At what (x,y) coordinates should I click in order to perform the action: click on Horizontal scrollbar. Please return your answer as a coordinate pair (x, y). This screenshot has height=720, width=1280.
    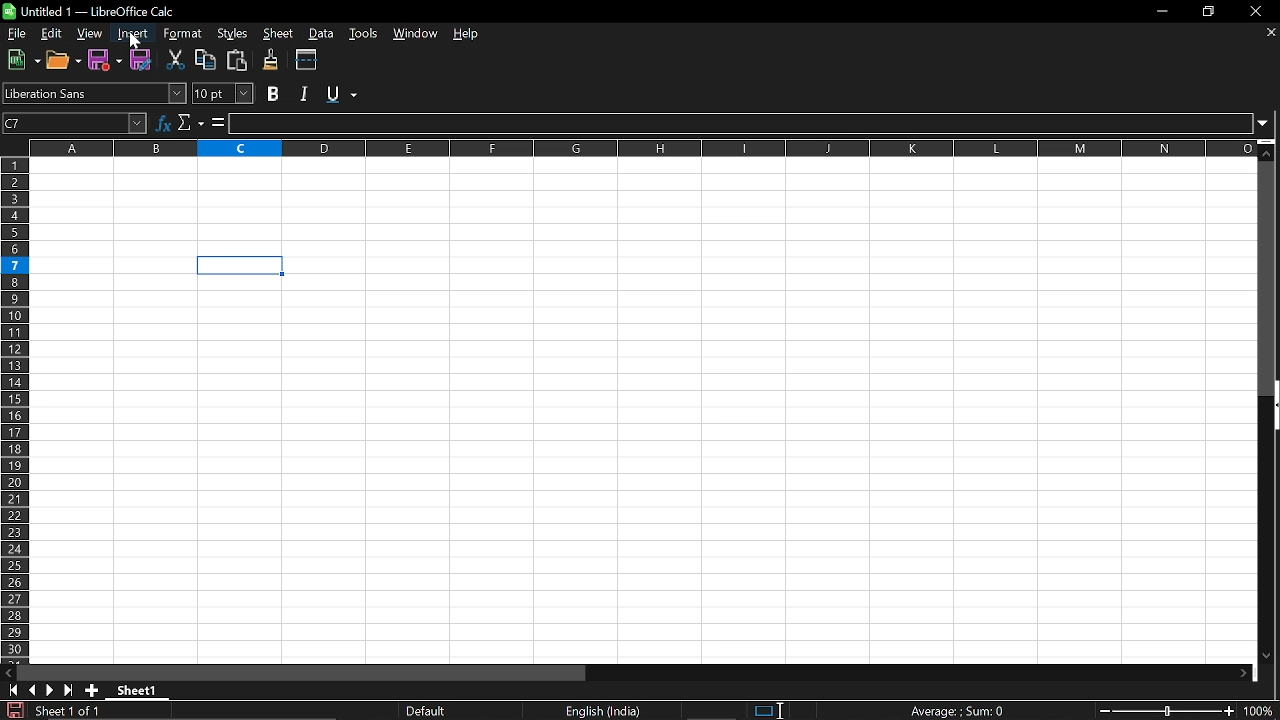
    Looking at the image, I should click on (302, 672).